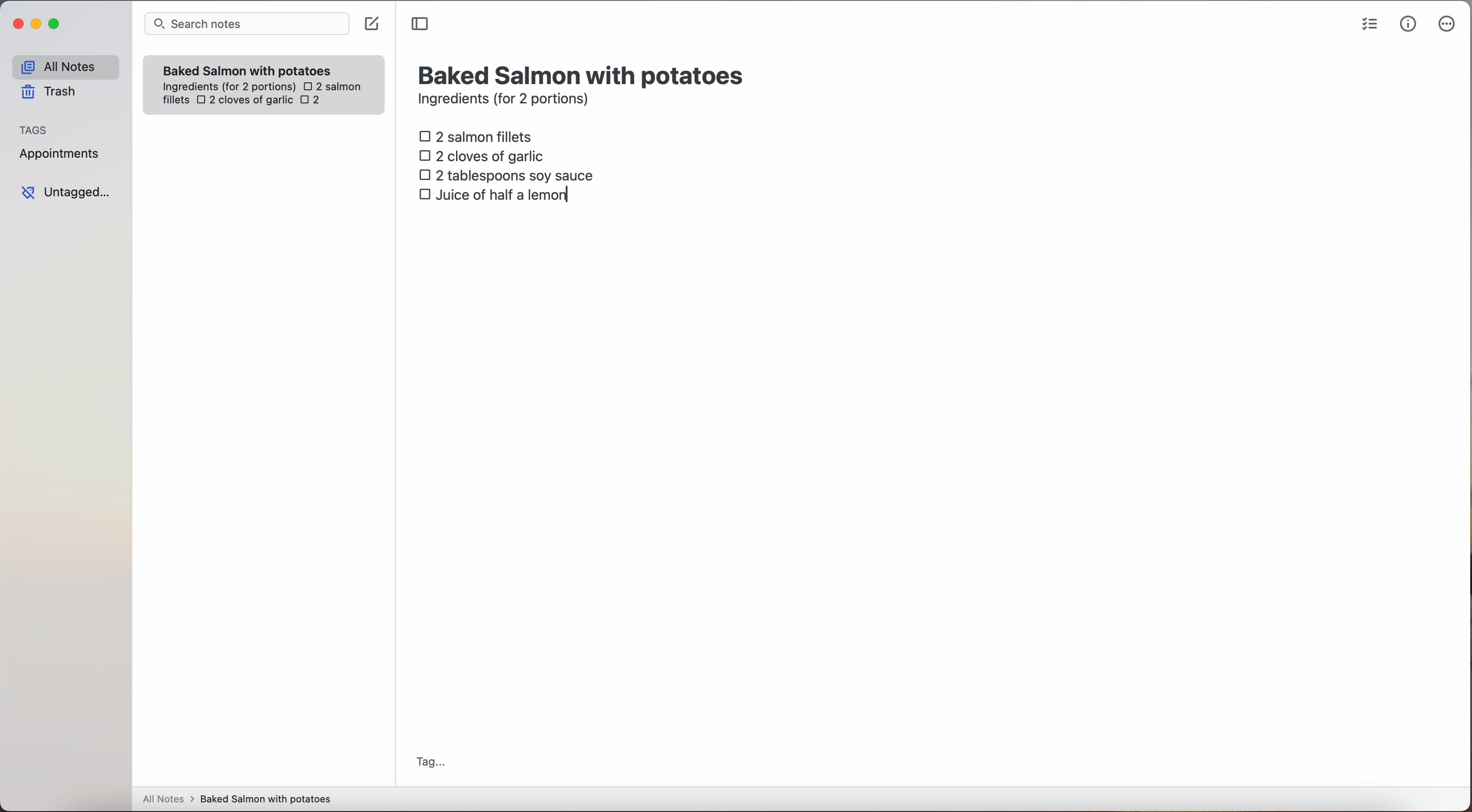 This screenshot has height=812, width=1472. I want to click on search bar, so click(246, 25).